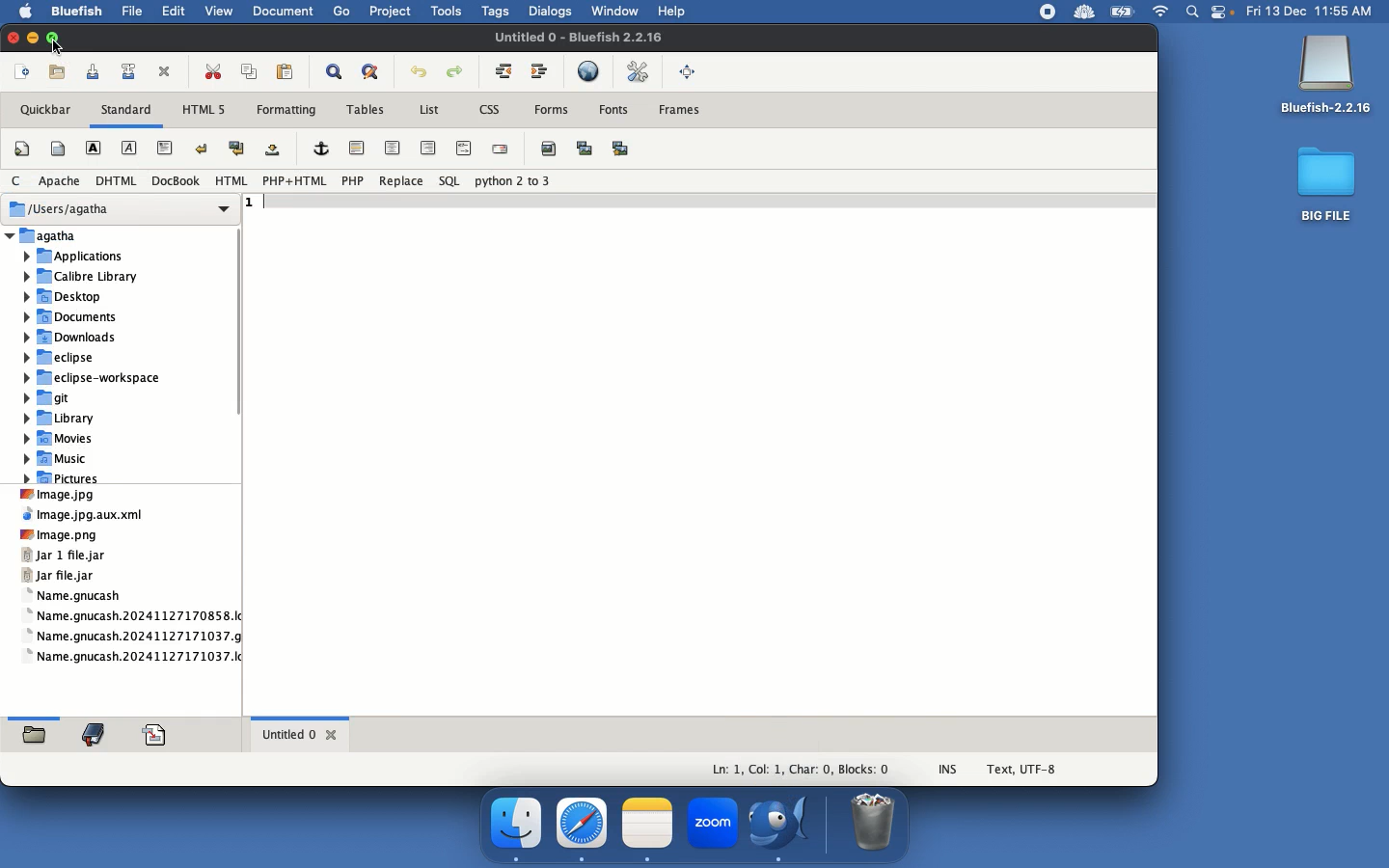 The image size is (1389, 868). Describe the element at coordinates (96, 379) in the screenshot. I see `eclipse workspace` at that location.